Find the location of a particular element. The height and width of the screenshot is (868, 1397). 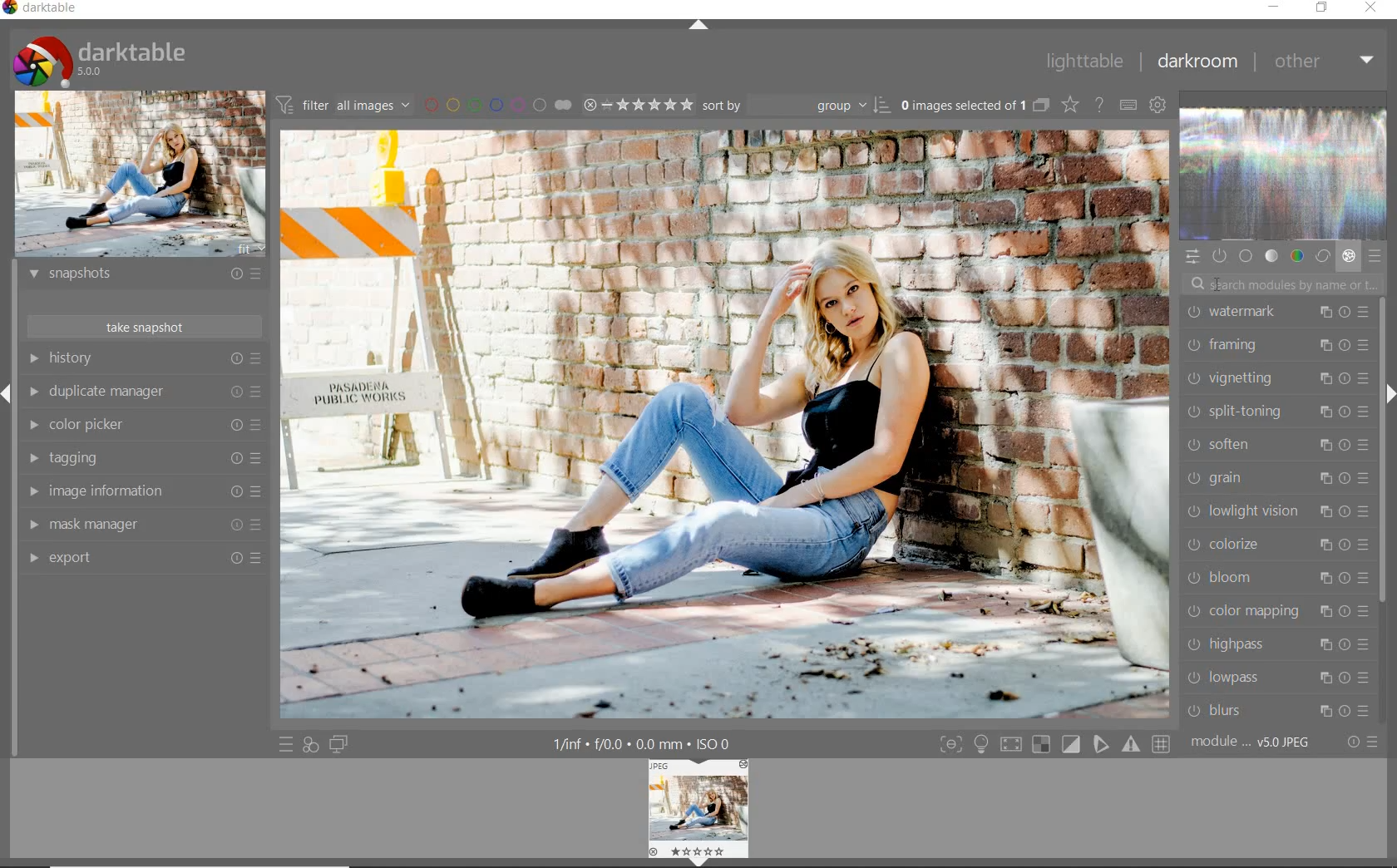

image information is located at coordinates (143, 491).